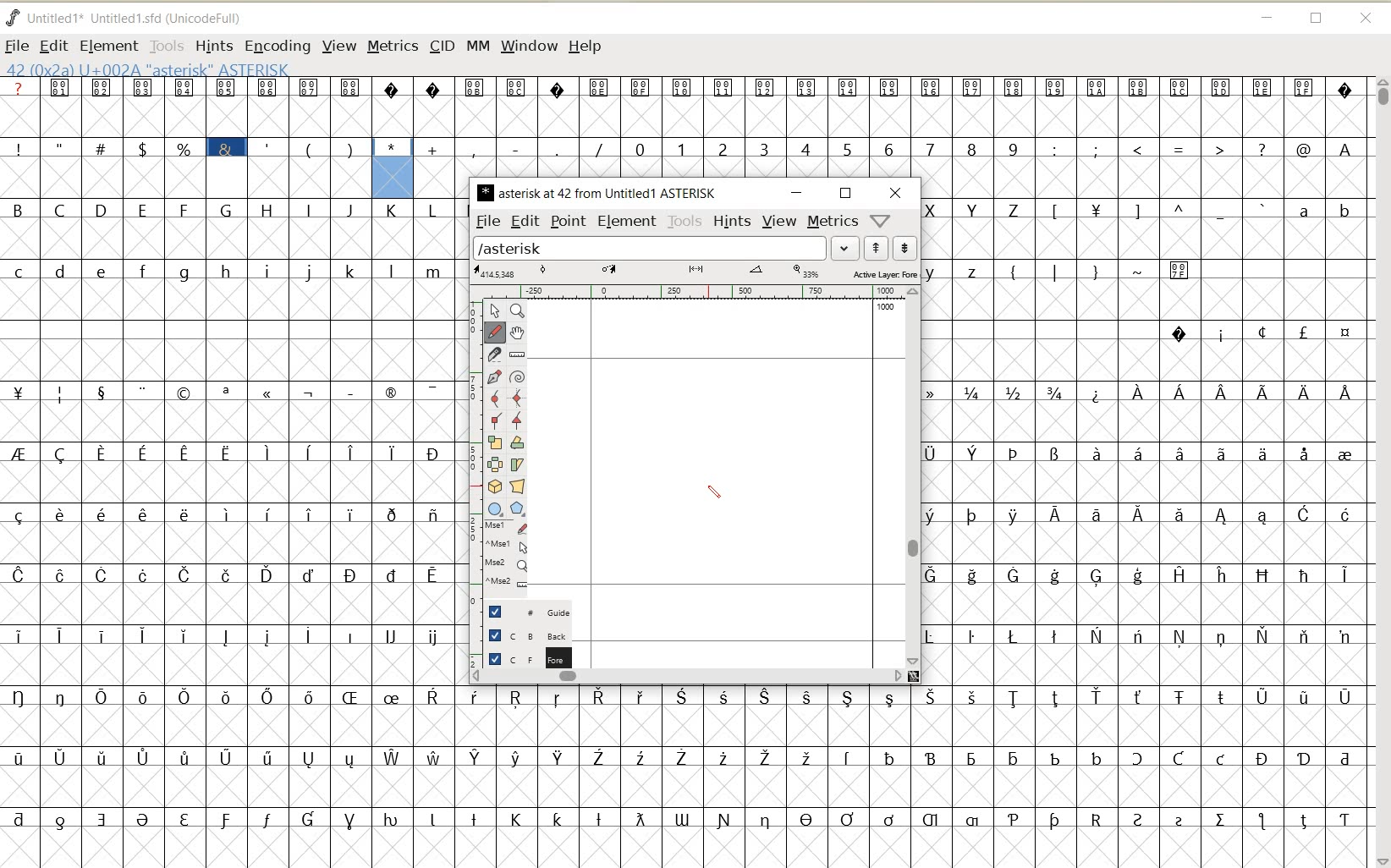 The height and width of the screenshot is (868, 1391). Describe the element at coordinates (733, 222) in the screenshot. I see `HINTS` at that location.